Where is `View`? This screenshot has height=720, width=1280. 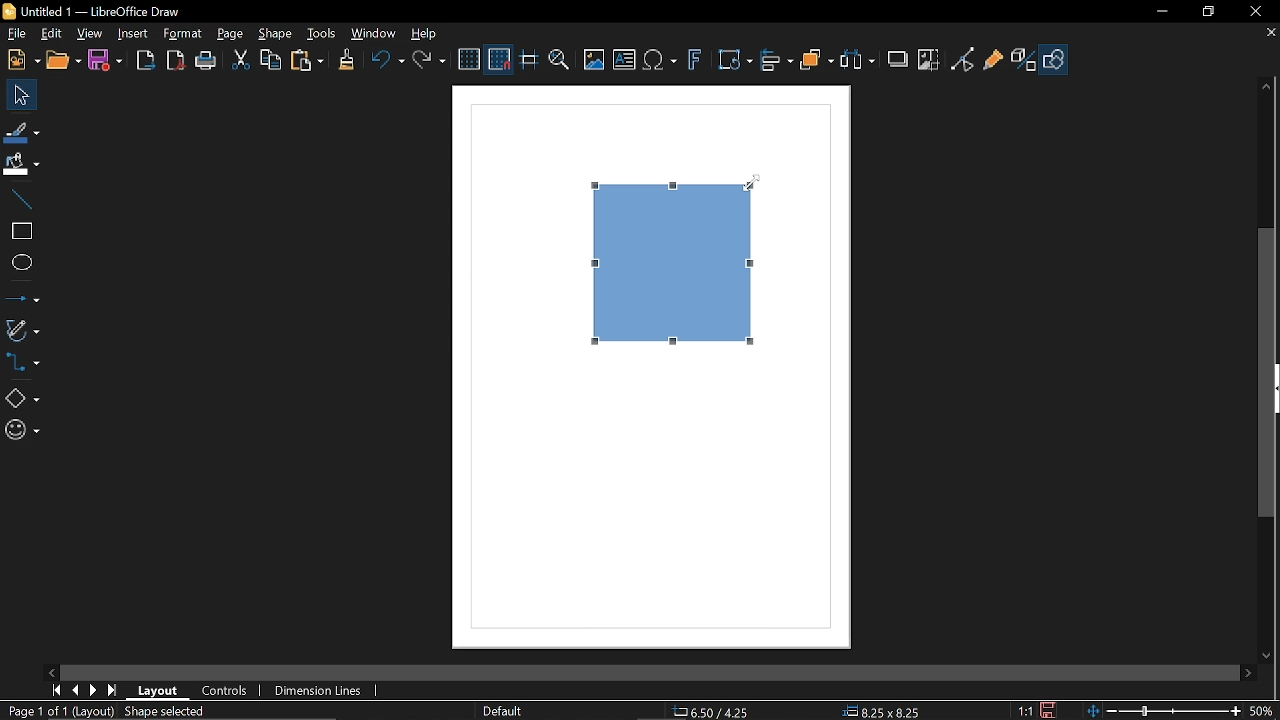
View is located at coordinates (91, 33).